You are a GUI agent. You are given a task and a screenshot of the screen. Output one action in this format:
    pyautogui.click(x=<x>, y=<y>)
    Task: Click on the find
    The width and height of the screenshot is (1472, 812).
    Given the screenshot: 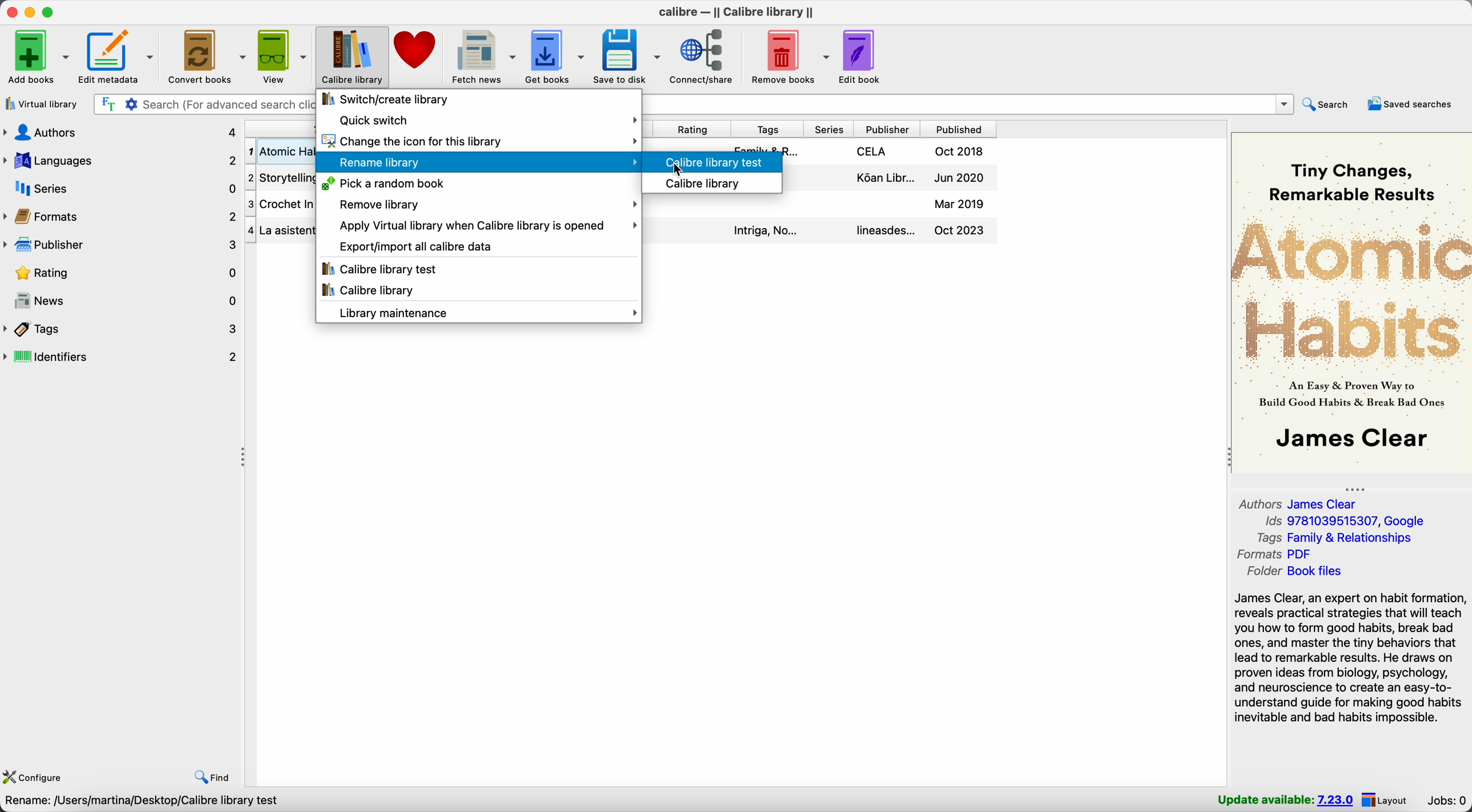 What is the action you would take?
    pyautogui.click(x=211, y=777)
    